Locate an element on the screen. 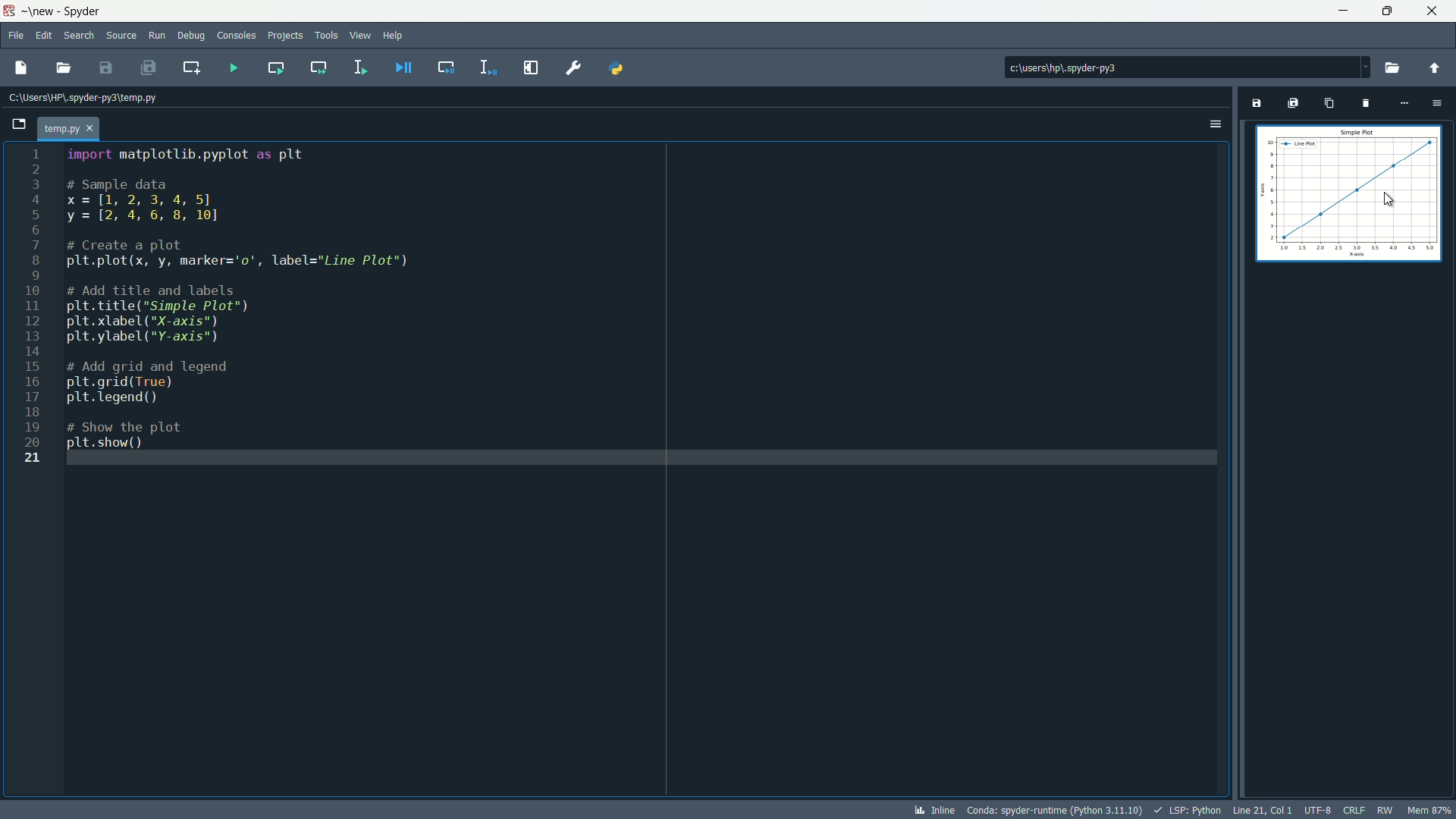 The height and width of the screenshot is (819, 1456). new is located at coordinates (40, 11).